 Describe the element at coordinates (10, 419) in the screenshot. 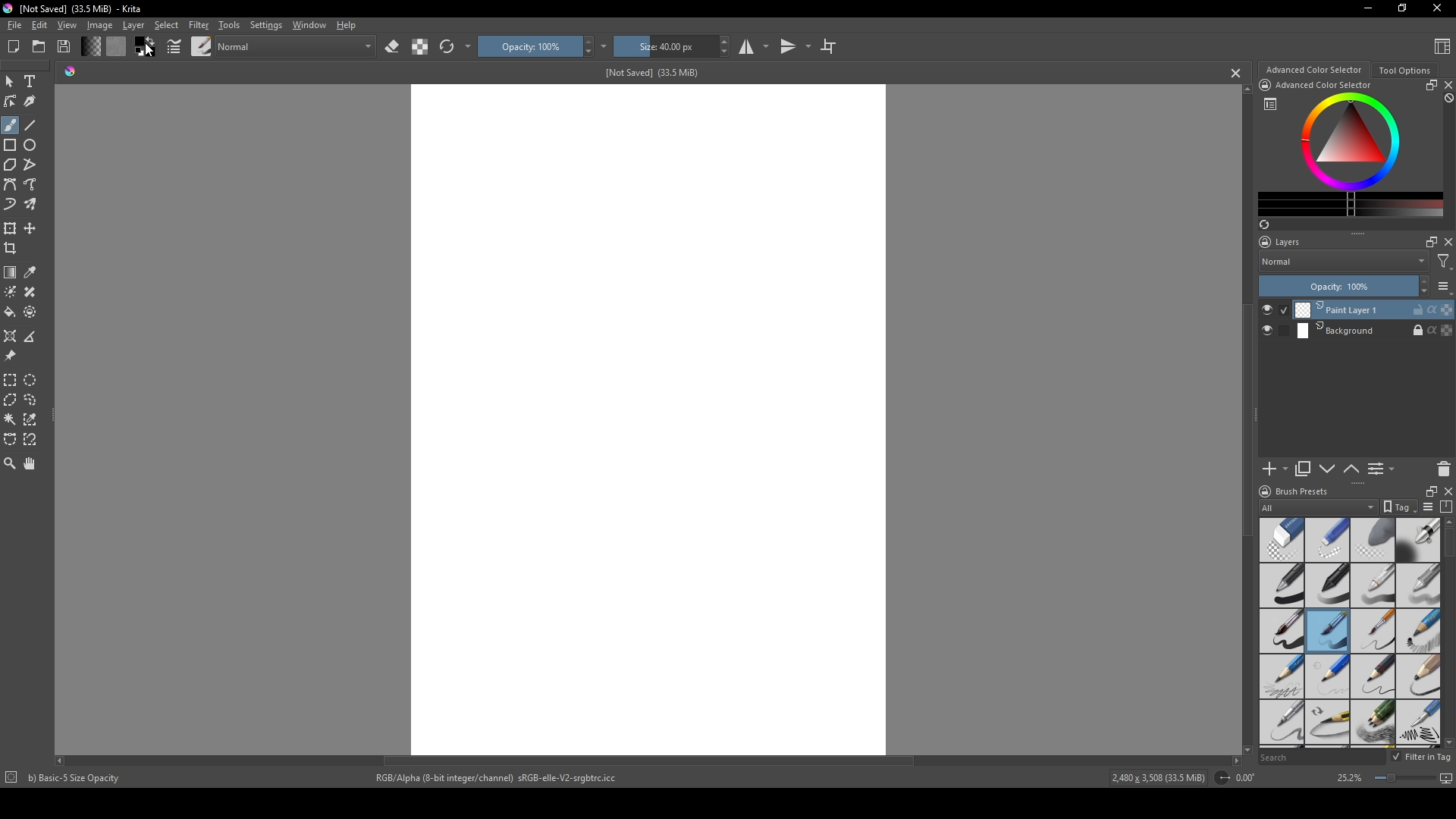

I see `magic wand` at that location.